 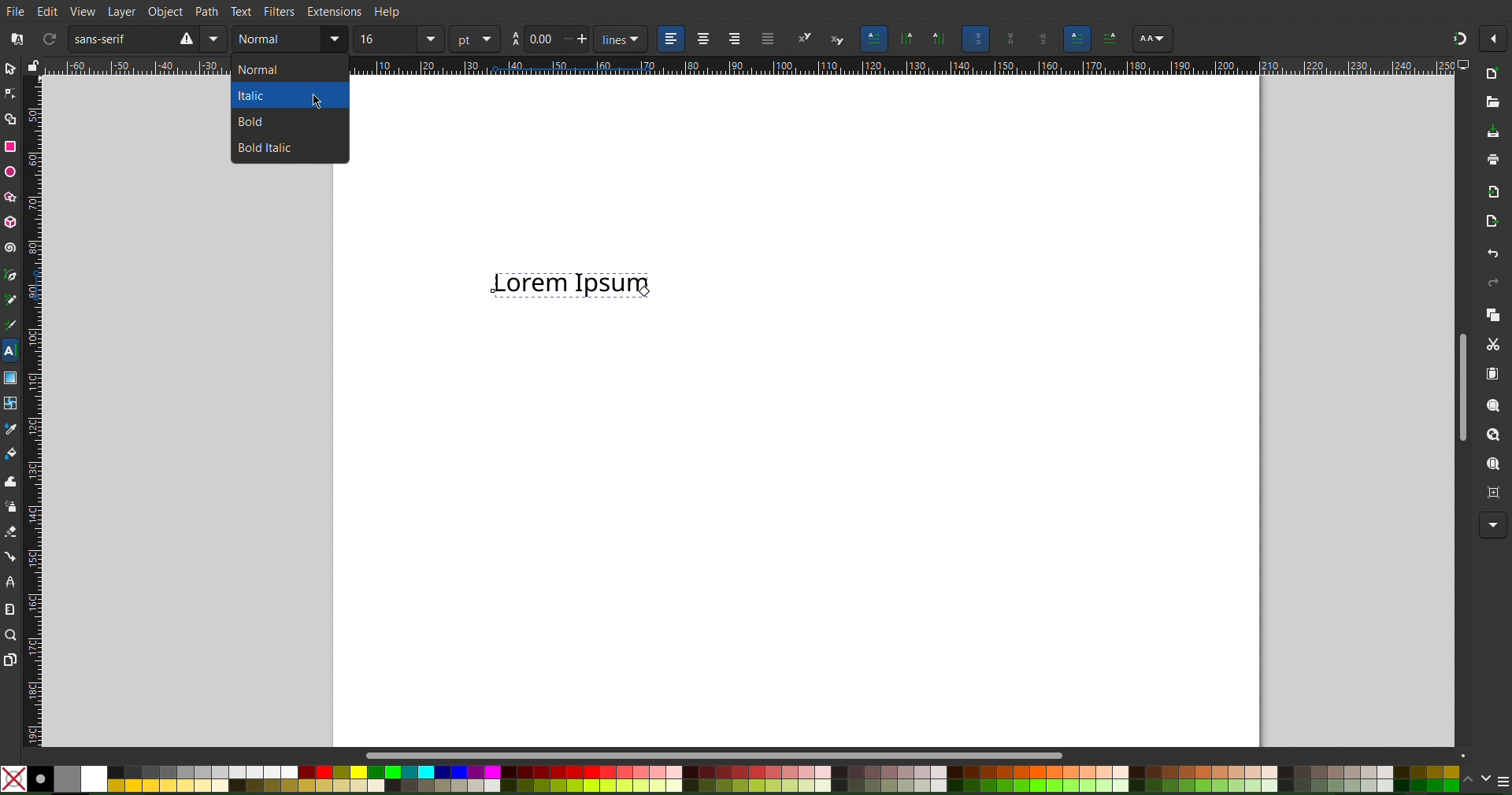 I want to click on Alignment, so click(x=720, y=39).